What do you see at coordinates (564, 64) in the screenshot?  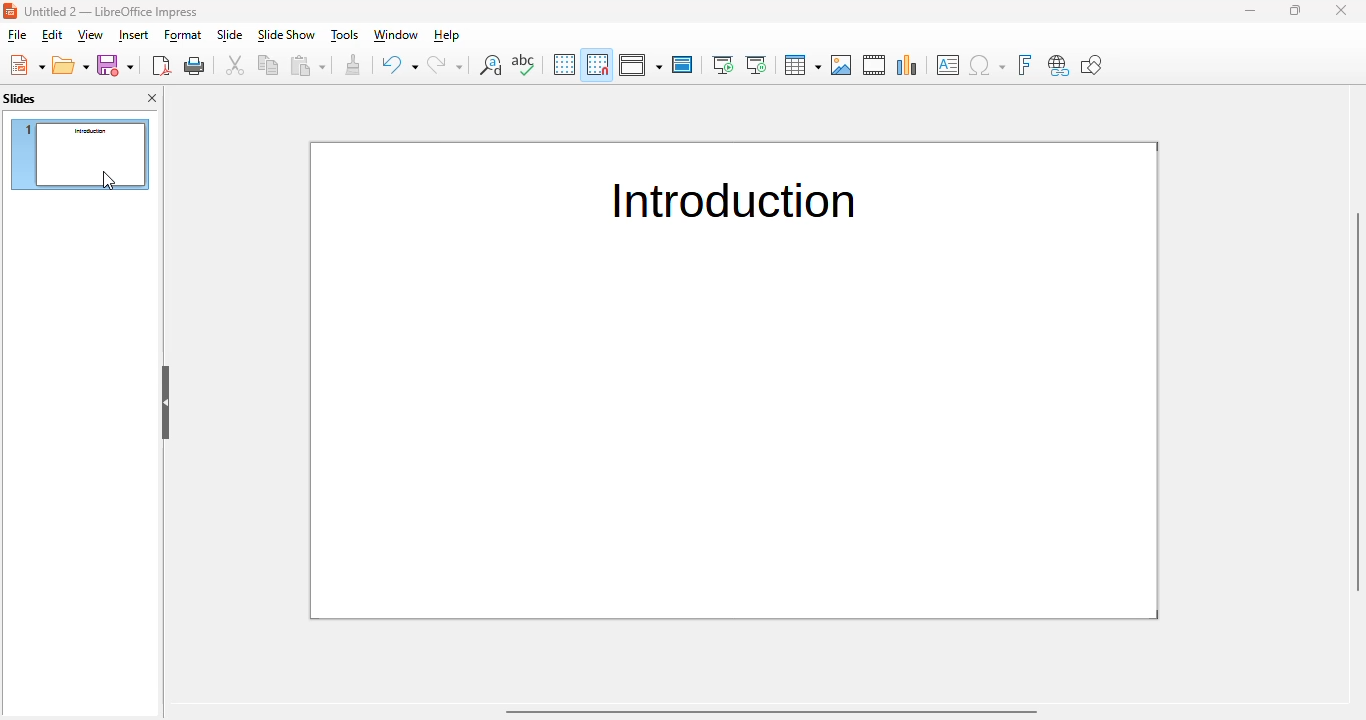 I see `display grid` at bounding box center [564, 64].